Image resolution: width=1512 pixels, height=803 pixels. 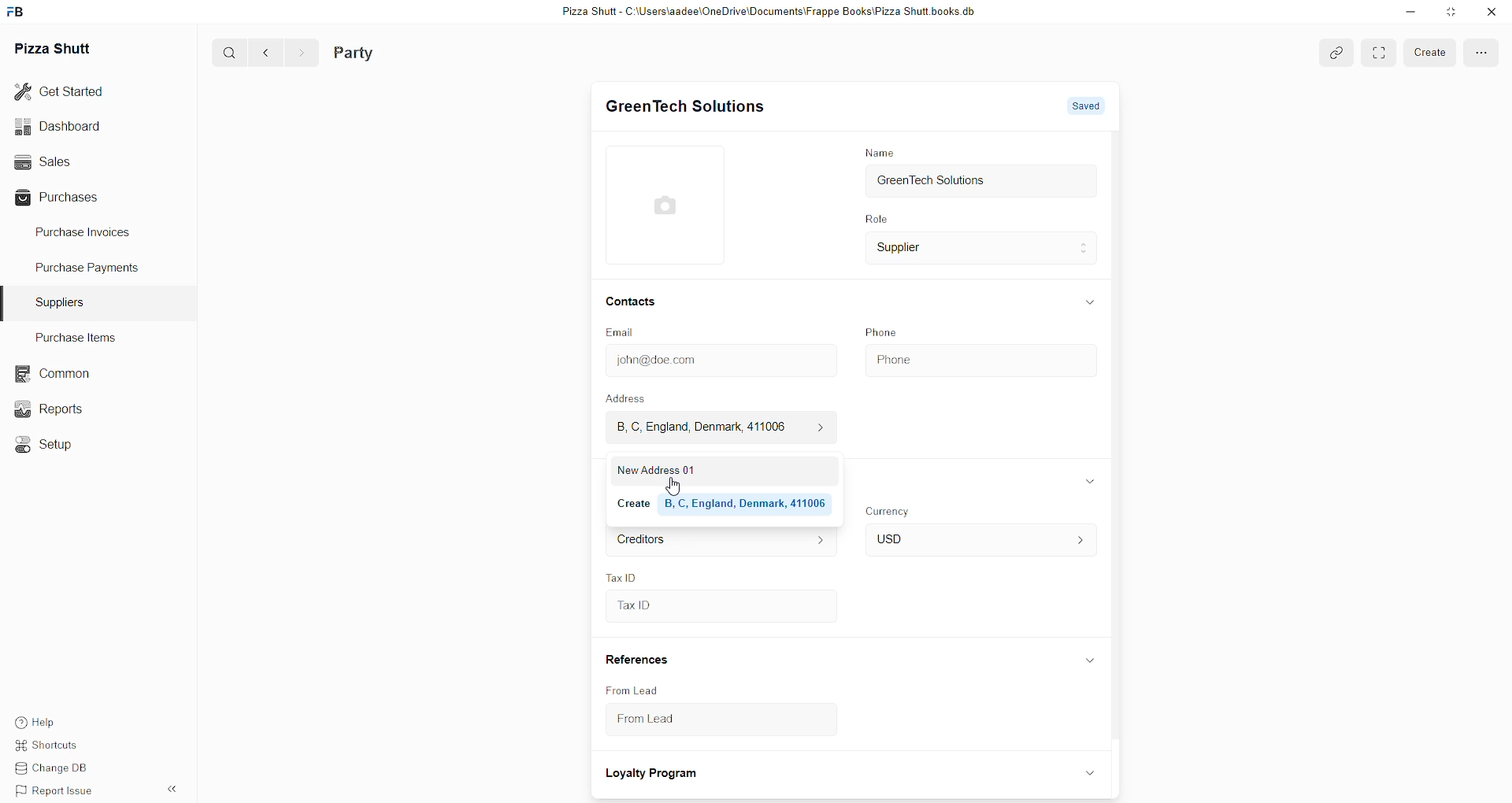 What do you see at coordinates (978, 357) in the screenshot?
I see `Phone` at bounding box center [978, 357].